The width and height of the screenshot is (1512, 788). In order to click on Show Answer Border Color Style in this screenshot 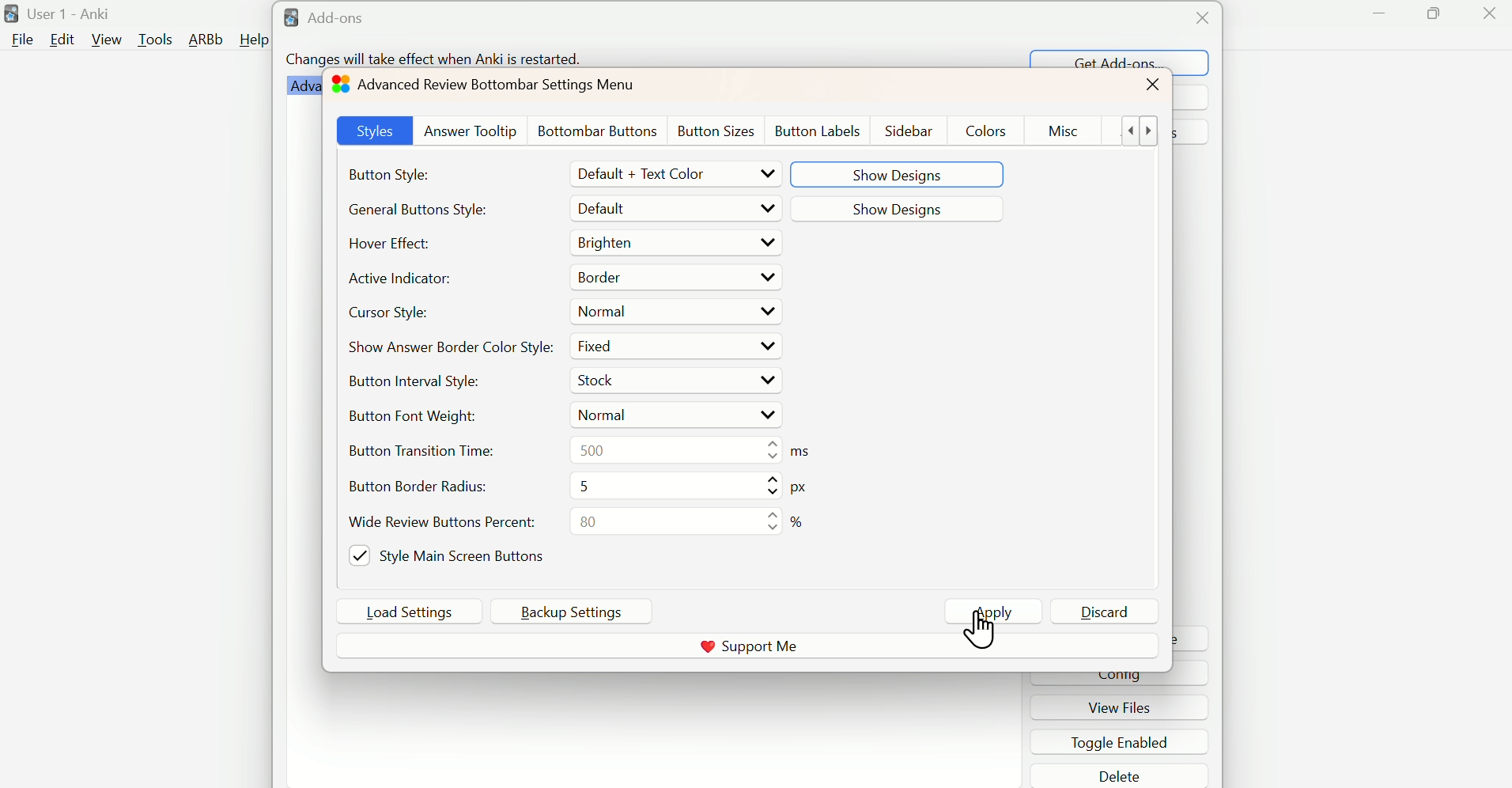, I will do `click(448, 348)`.